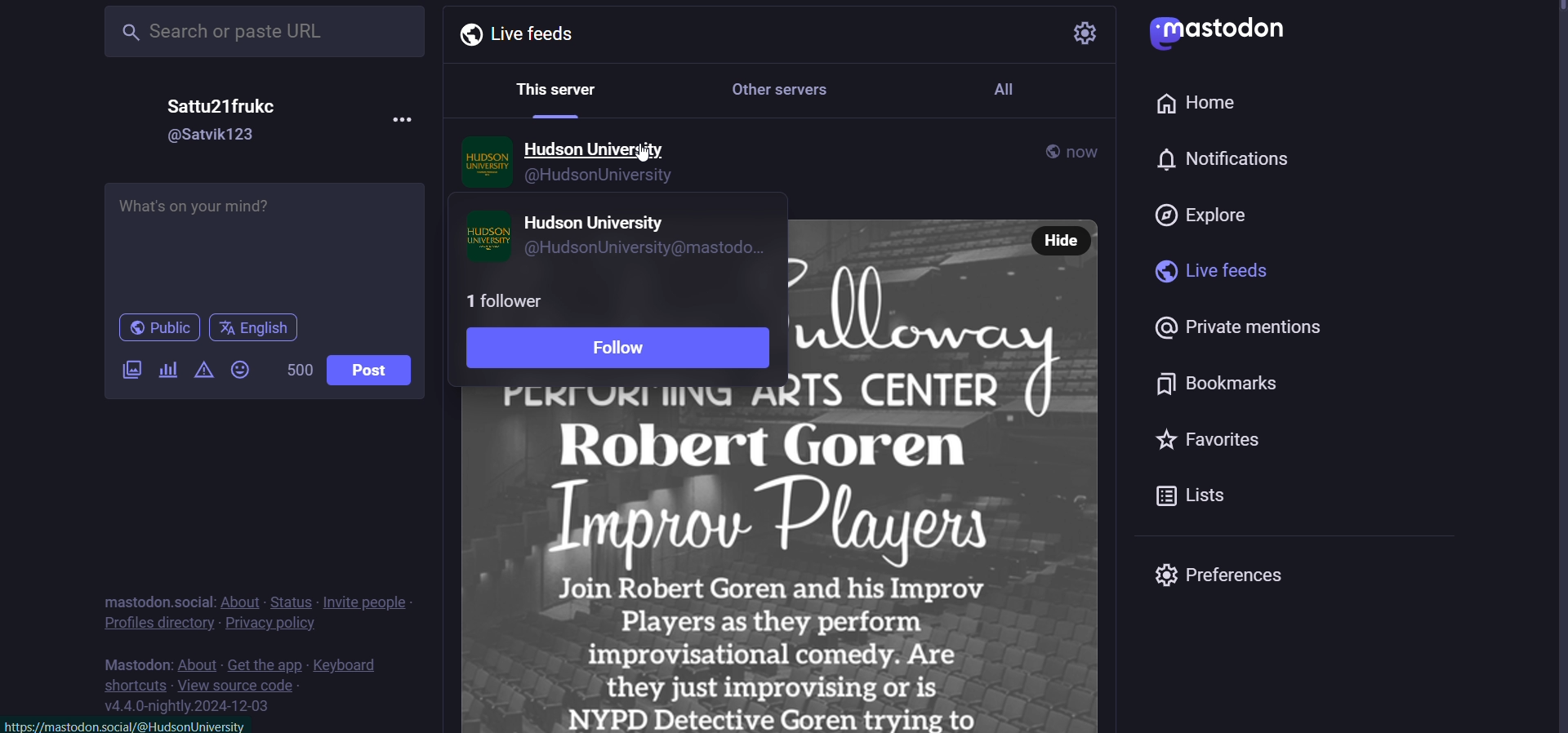  Describe the element at coordinates (405, 119) in the screenshot. I see `more` at that location.